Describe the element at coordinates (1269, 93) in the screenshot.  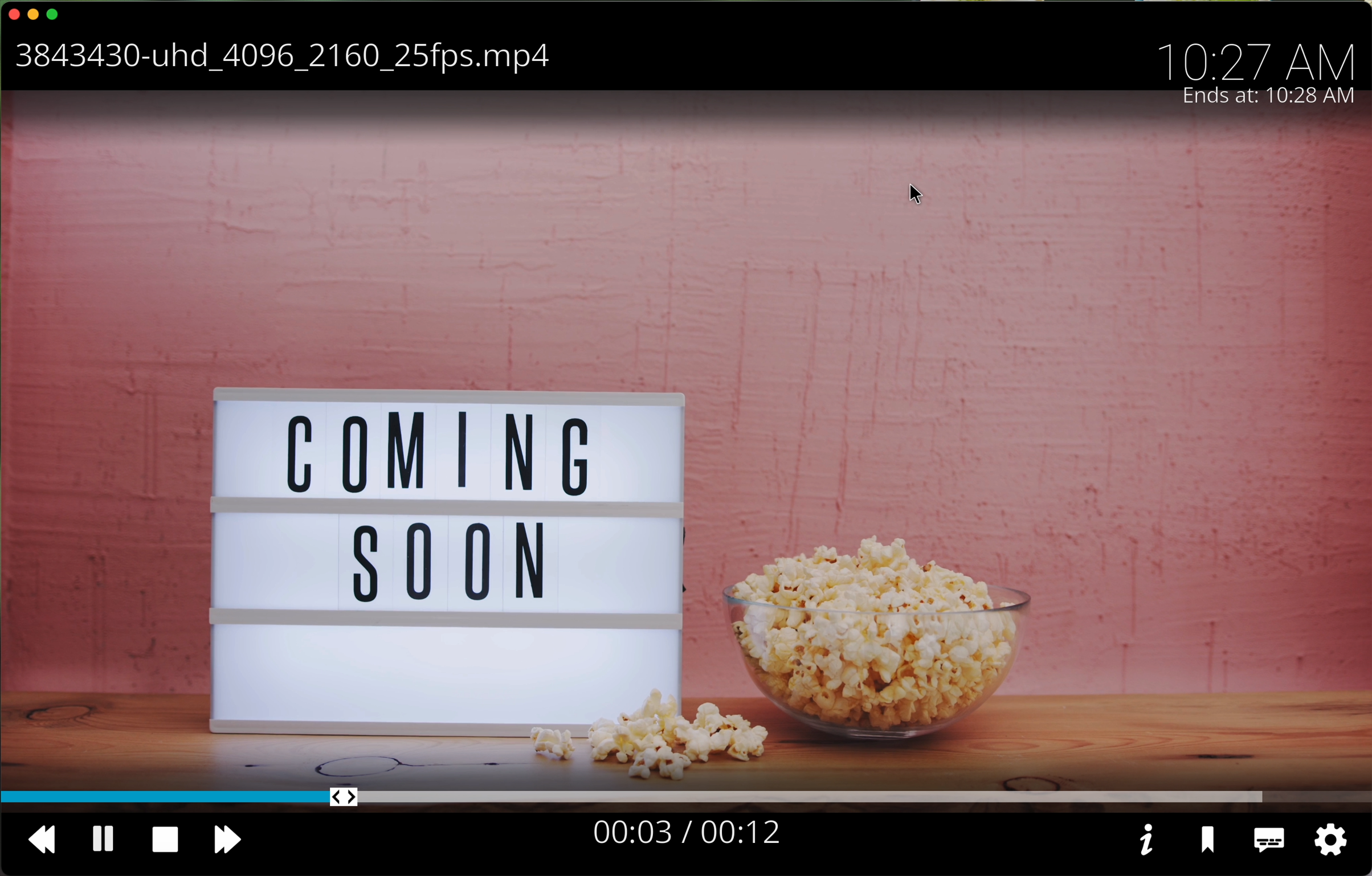
I see `ends at 10:27 AM` at that location.